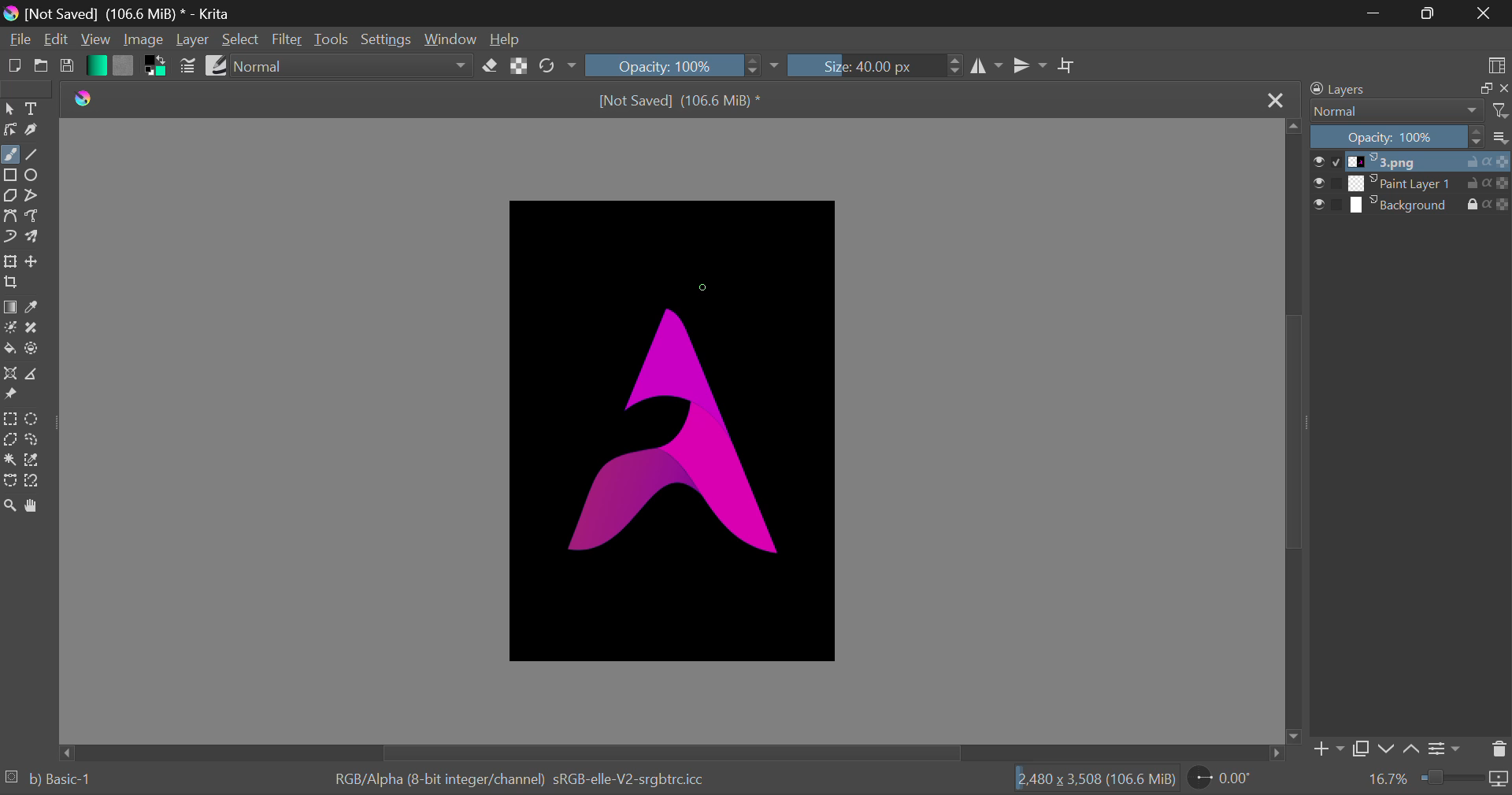  I want to click on Paint Layer 1, so click(1411, 183).